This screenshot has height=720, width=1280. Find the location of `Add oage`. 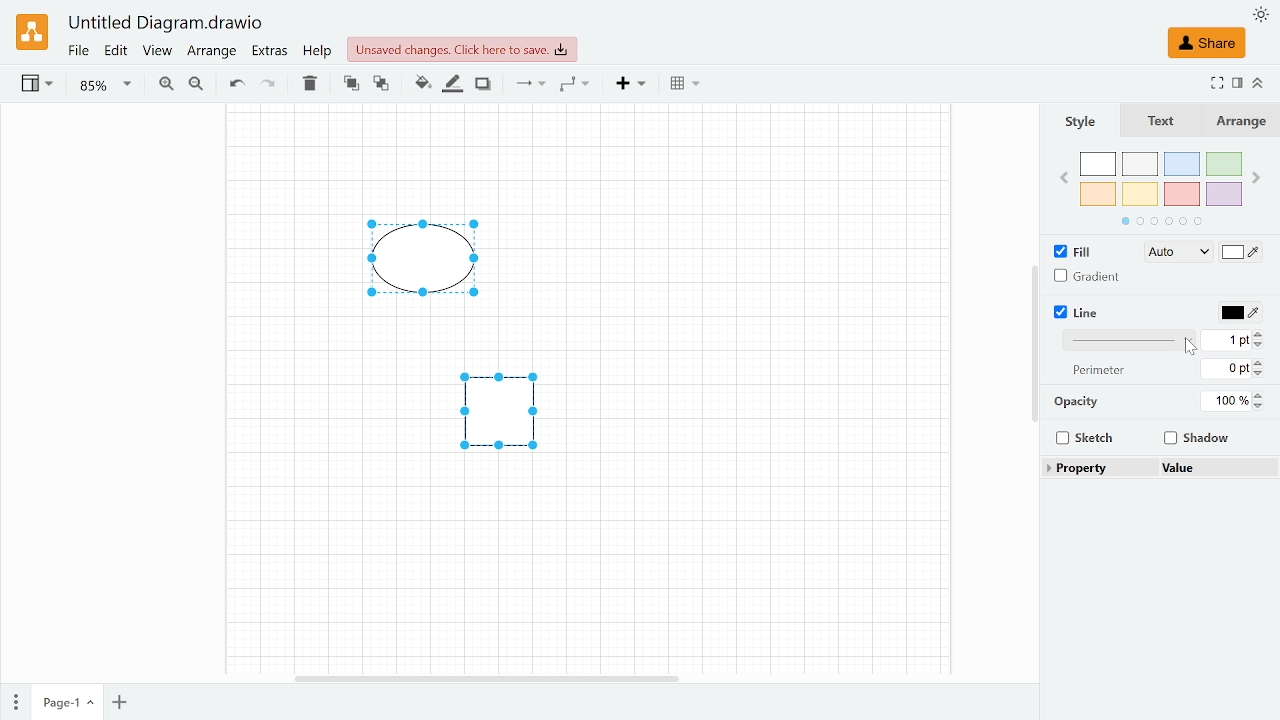

Add oage is located at coordinates (119, 704).